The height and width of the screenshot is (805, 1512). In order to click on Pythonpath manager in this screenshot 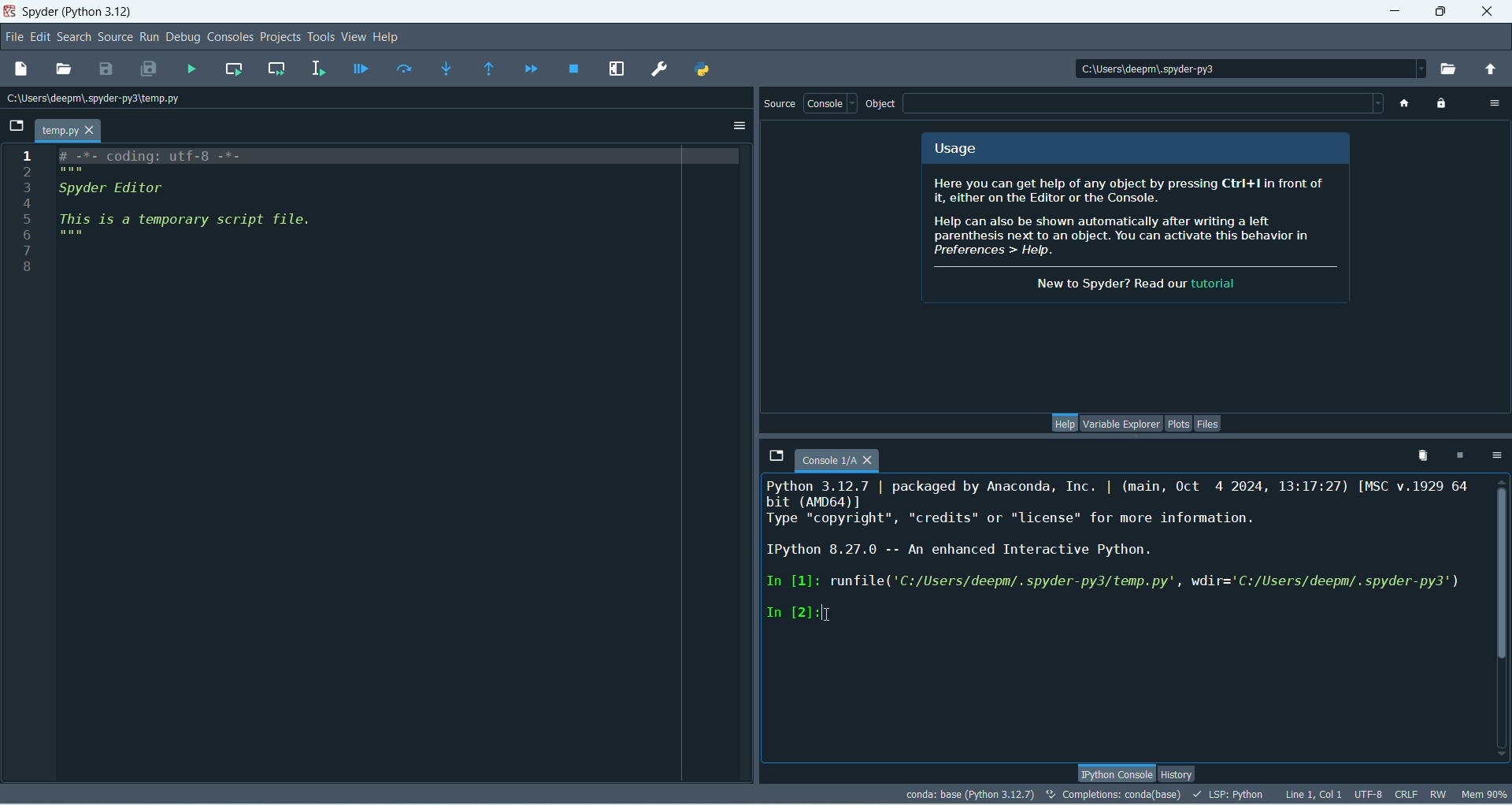, I will do `click(702, 70)`.